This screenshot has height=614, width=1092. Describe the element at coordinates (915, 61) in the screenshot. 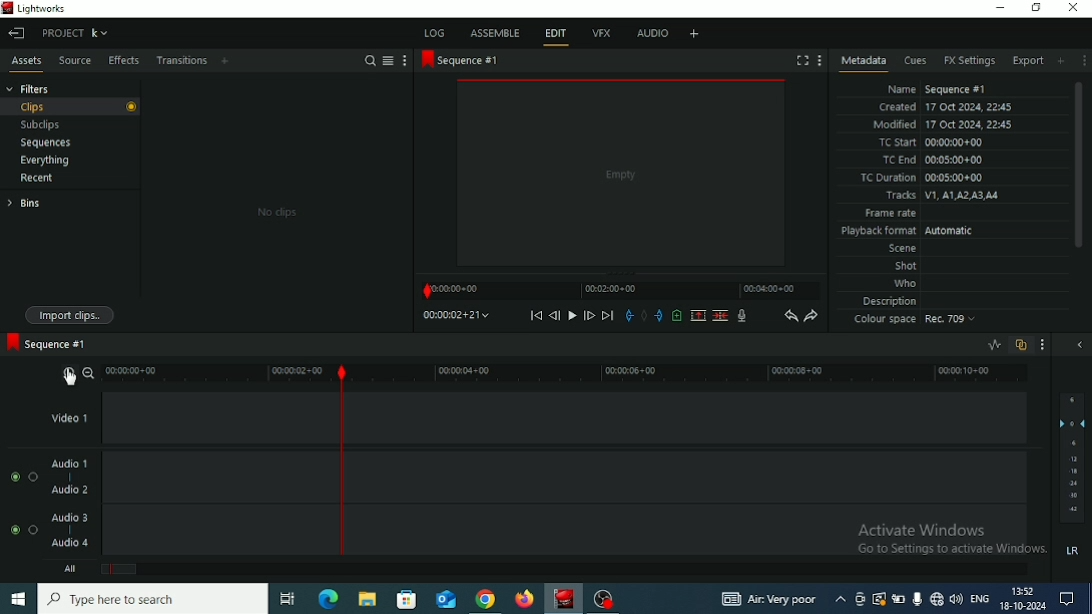

I see `Cues` at that location.